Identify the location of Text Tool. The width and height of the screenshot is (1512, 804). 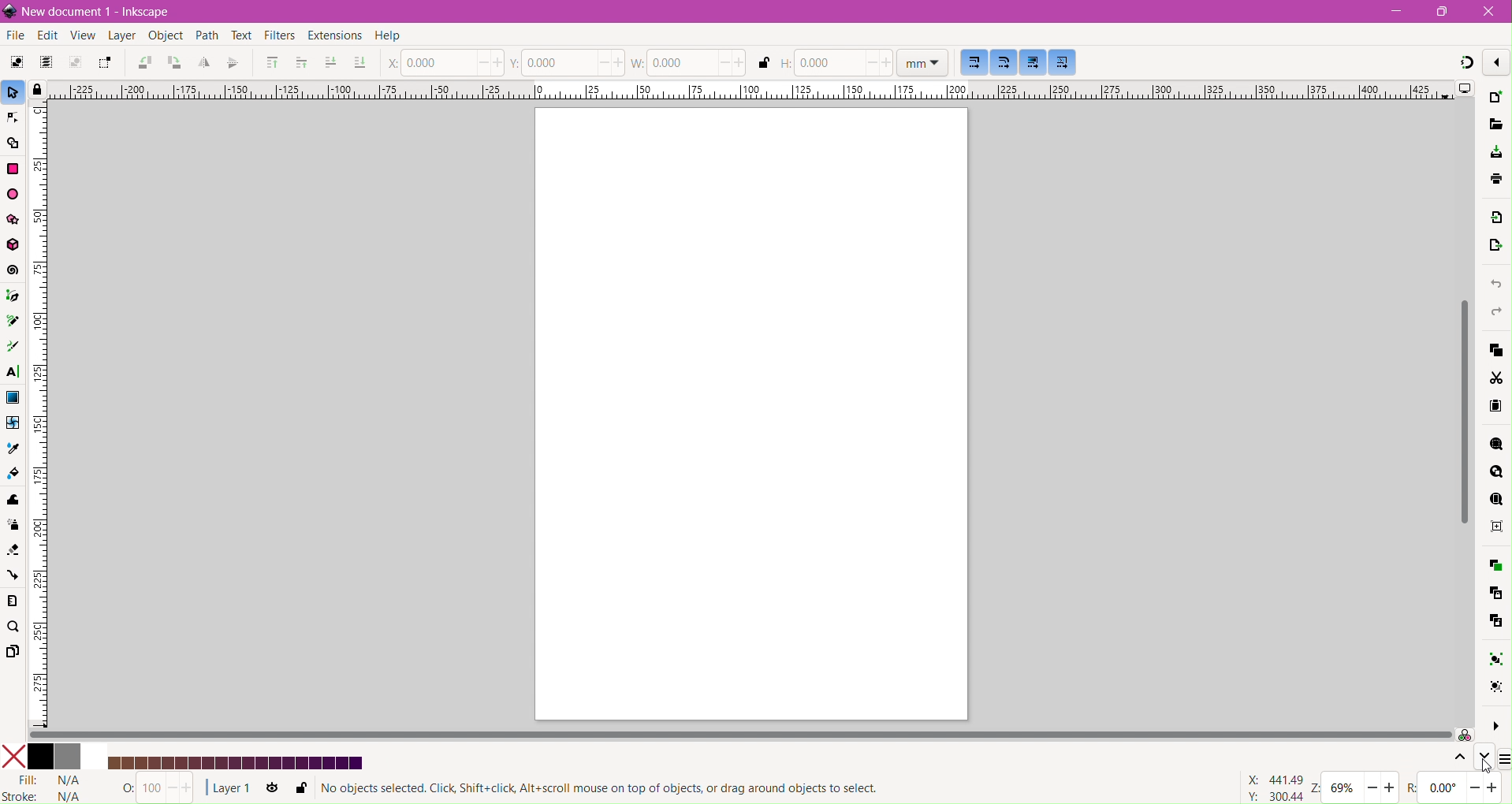
(13, 373).